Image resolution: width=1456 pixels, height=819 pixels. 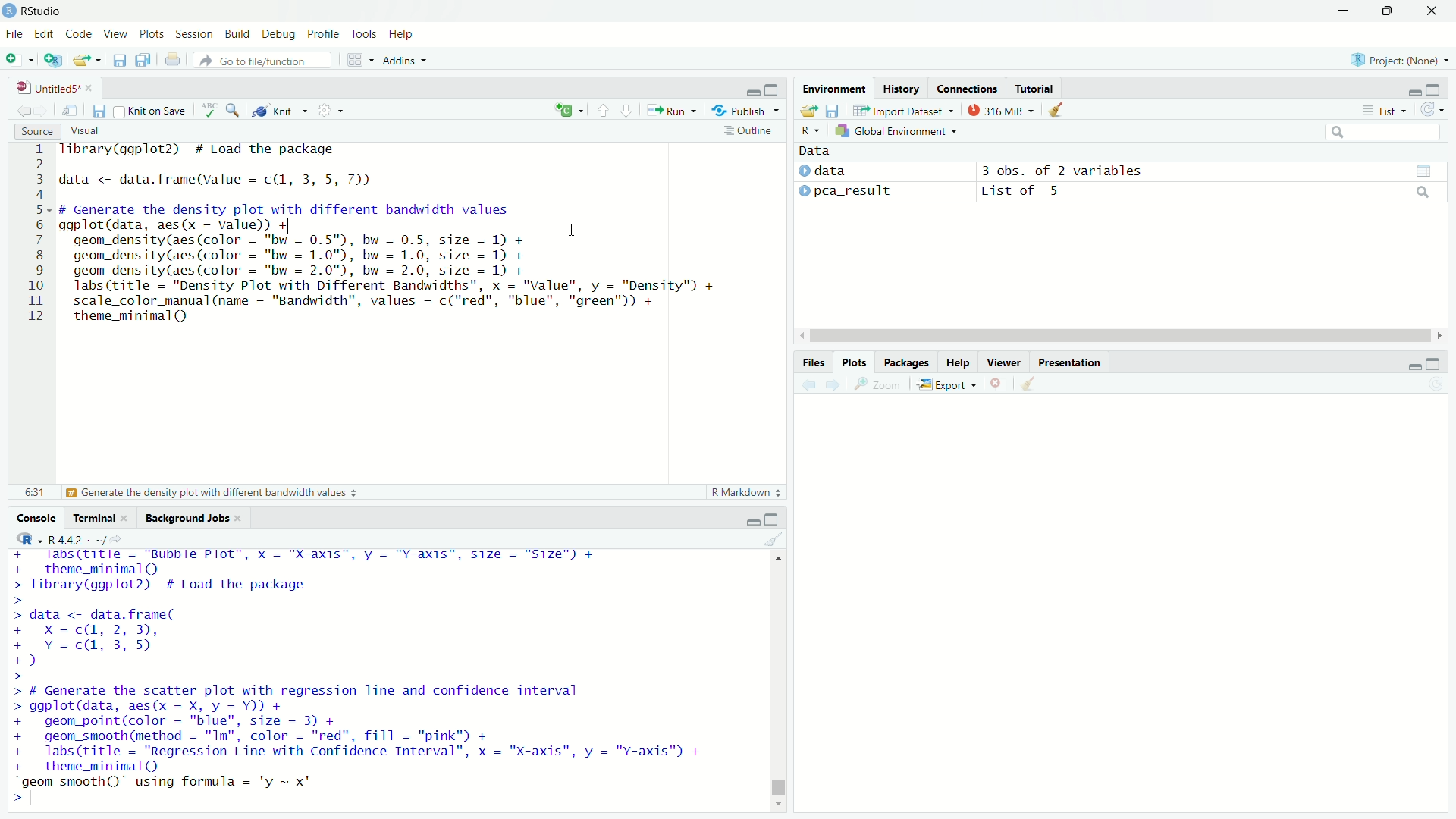 I want to click on Packages, so click(x=905, y=362).